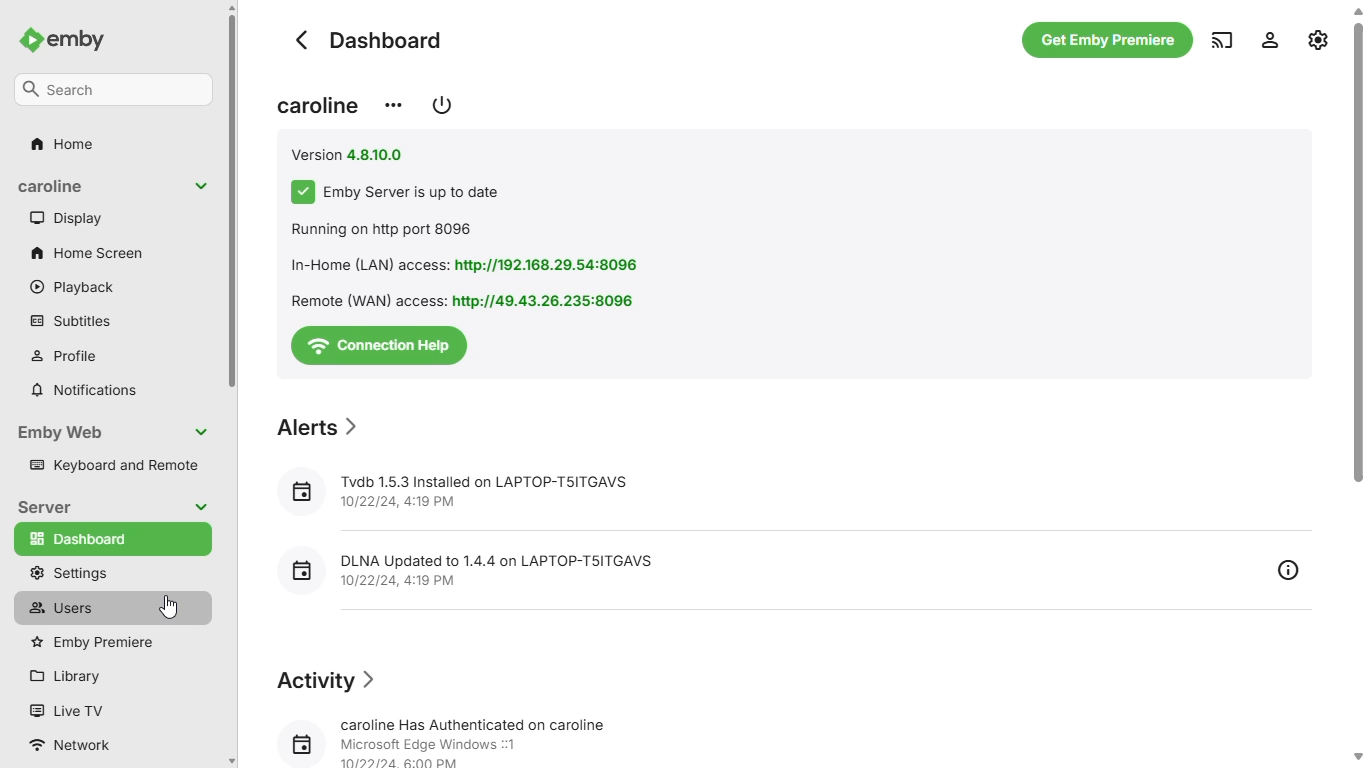  I want to click on Remote (WAN) access: http://49.43.26.235:8096, so click(463, 302).